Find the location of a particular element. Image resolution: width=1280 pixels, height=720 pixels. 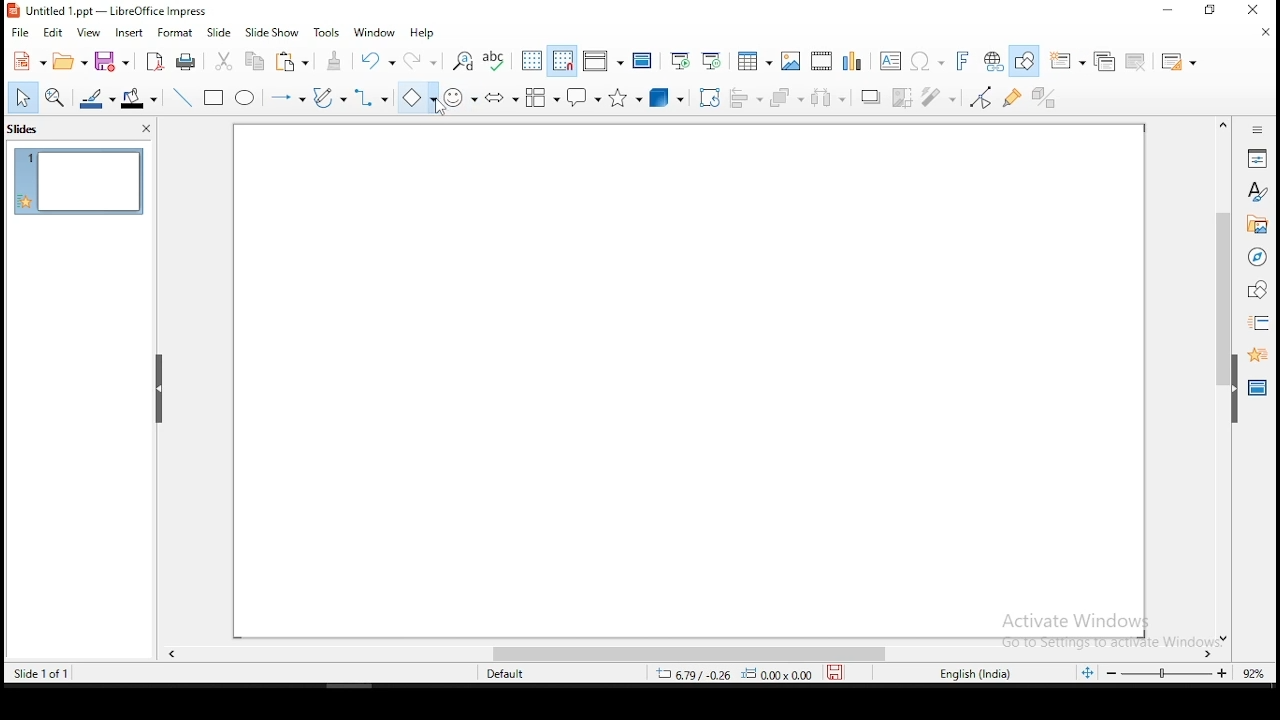

flowchart is located at coordinates (543, 97).